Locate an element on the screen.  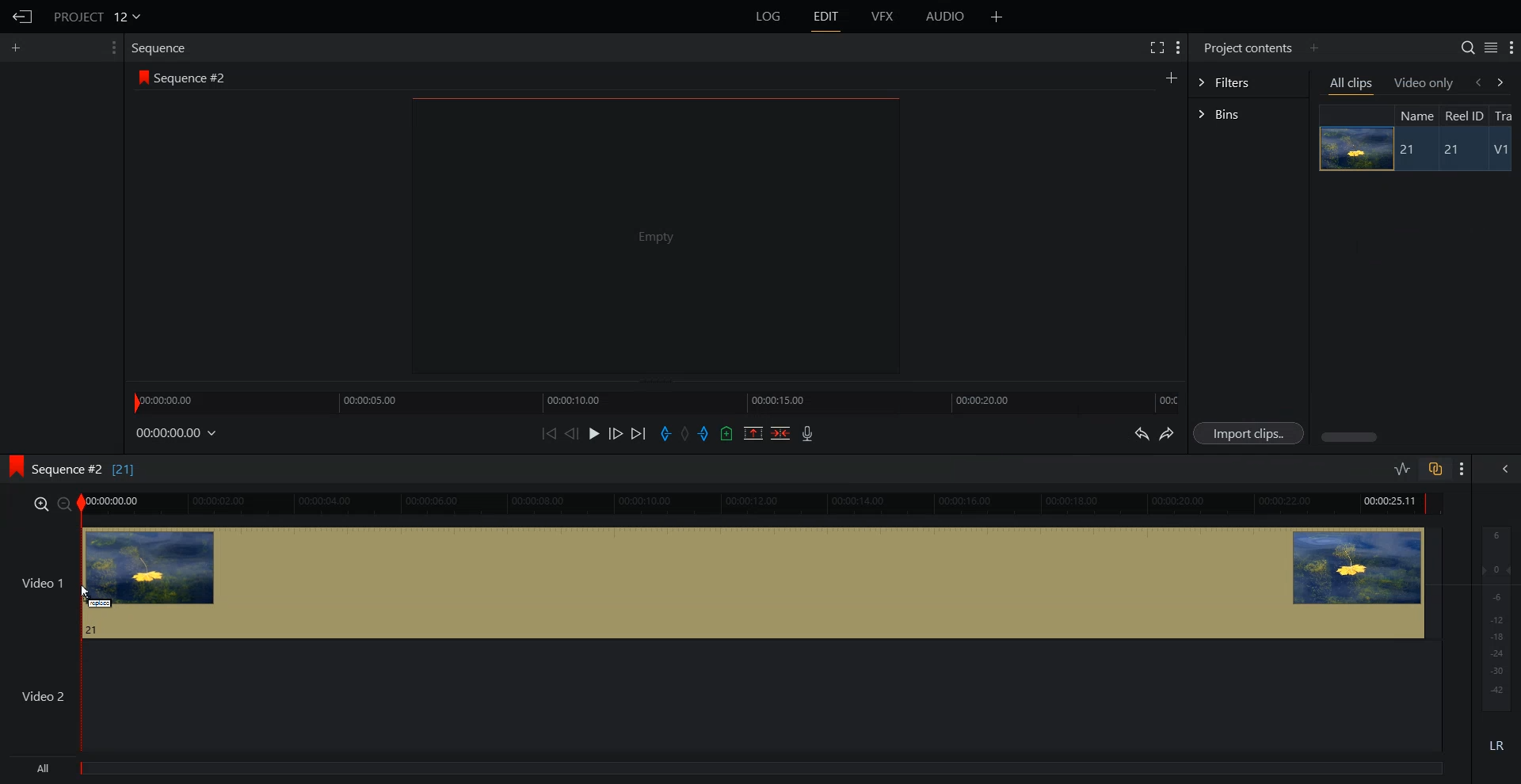
Full screen is located at coordinates (1156, 47).